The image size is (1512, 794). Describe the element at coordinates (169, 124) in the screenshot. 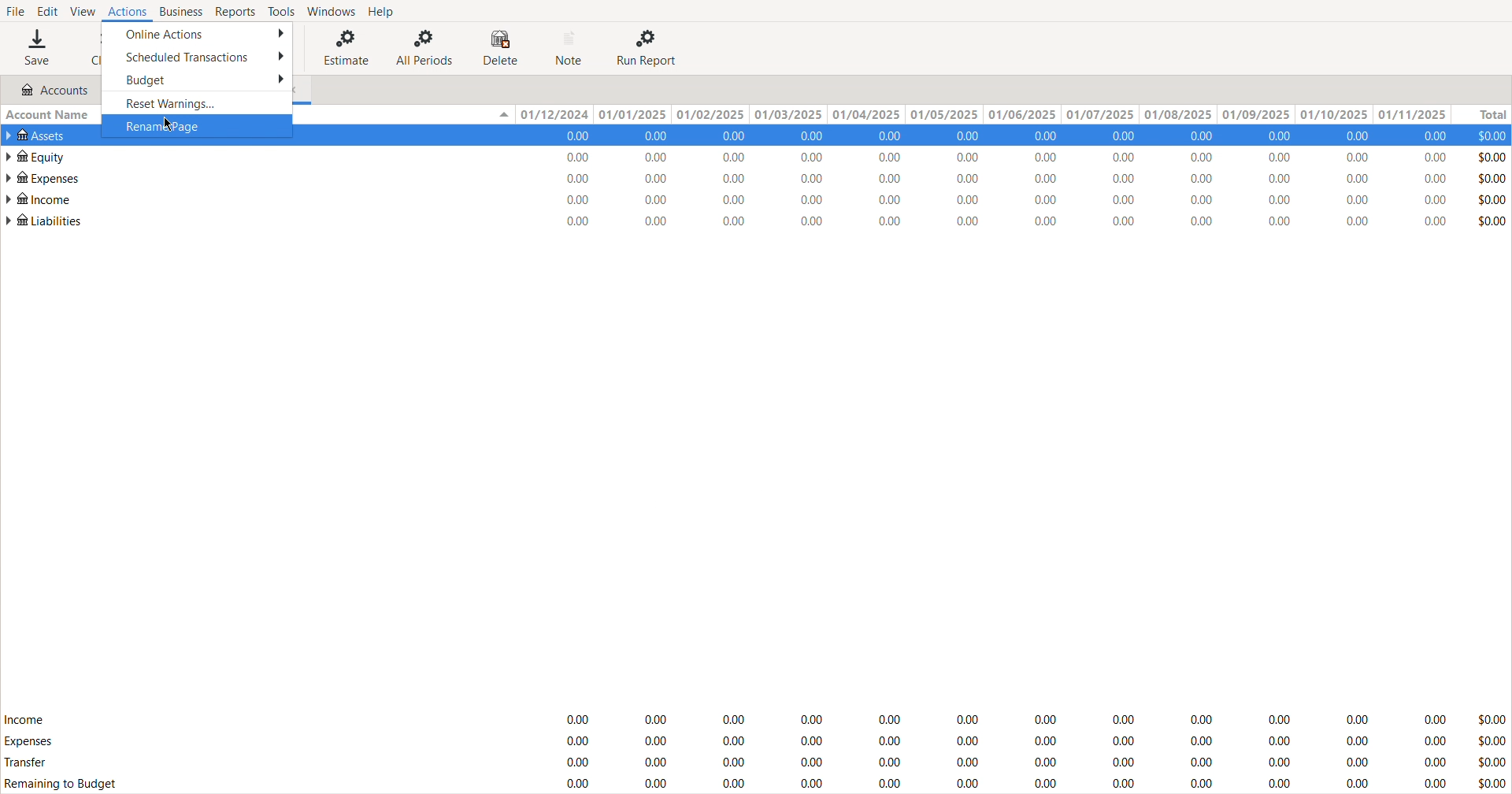

I see `Cursor` at that location.